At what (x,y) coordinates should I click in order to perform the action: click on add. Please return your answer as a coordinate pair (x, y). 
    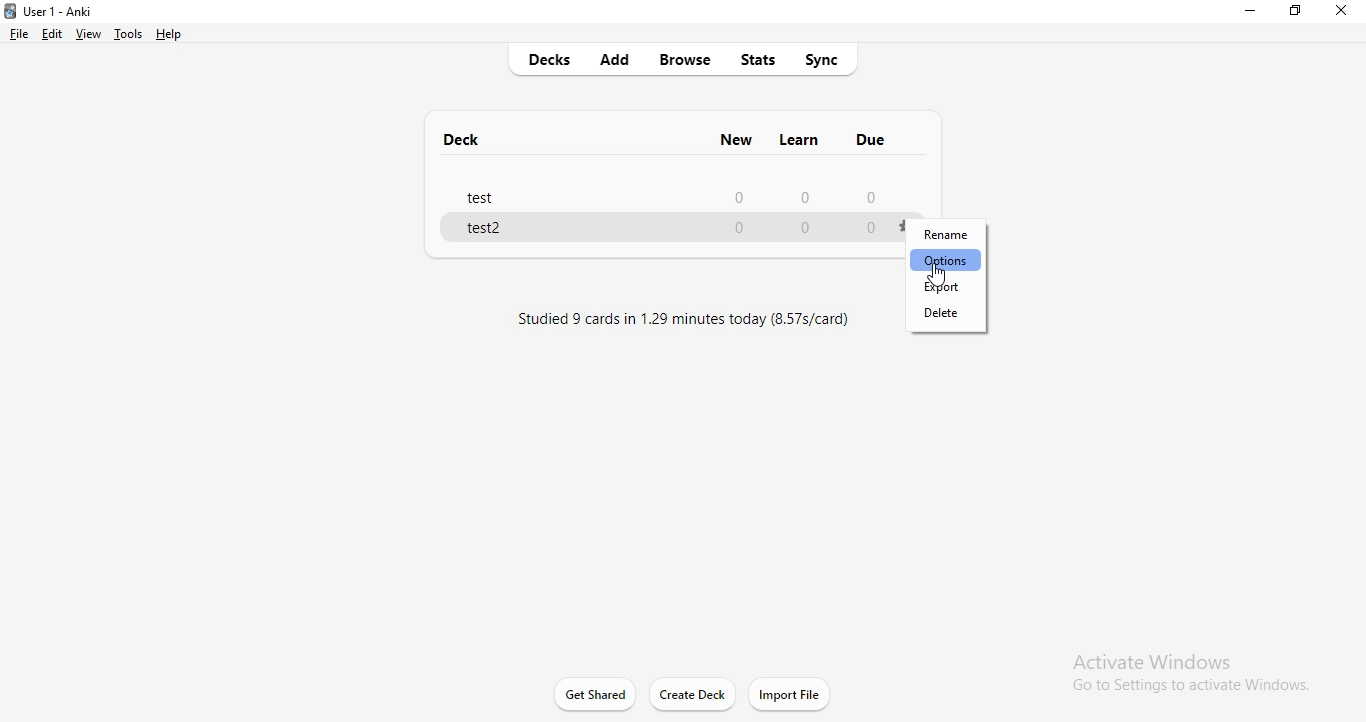
    Looking at the image, I should click on (621, 60).